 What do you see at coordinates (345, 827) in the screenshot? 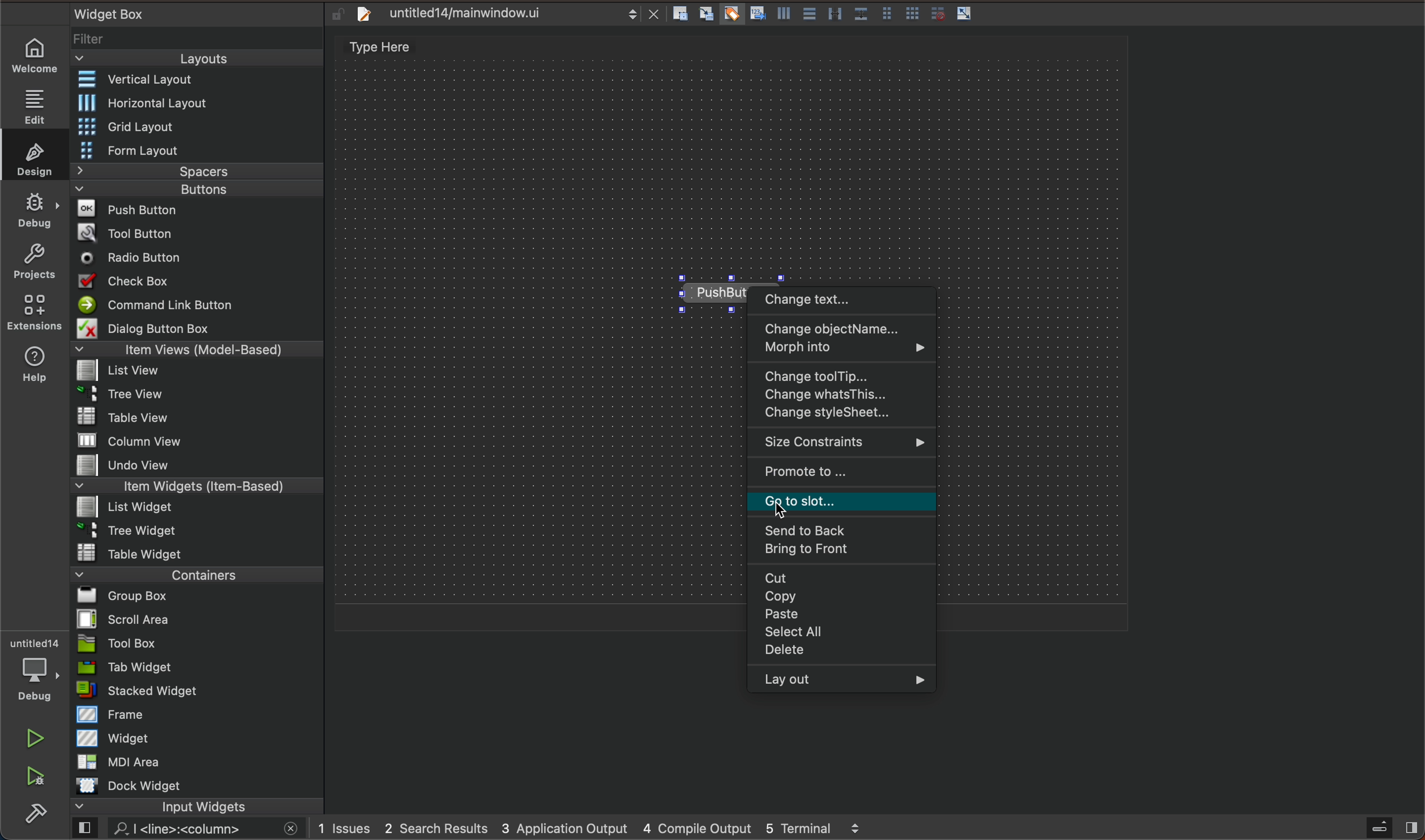
I see `1 issues` at bounding box center [345, 827].